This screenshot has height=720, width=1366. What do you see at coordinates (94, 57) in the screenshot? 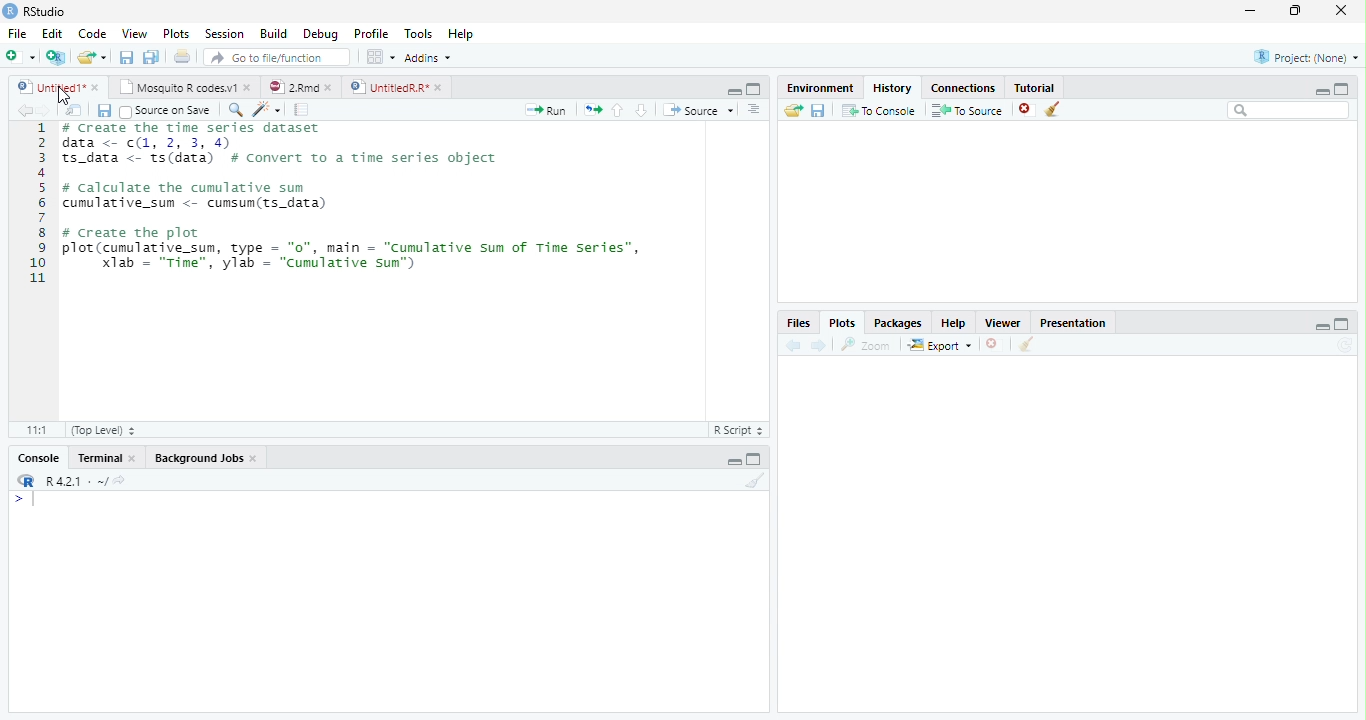
I see `Open an existing file` at bounding box center [94, 57].